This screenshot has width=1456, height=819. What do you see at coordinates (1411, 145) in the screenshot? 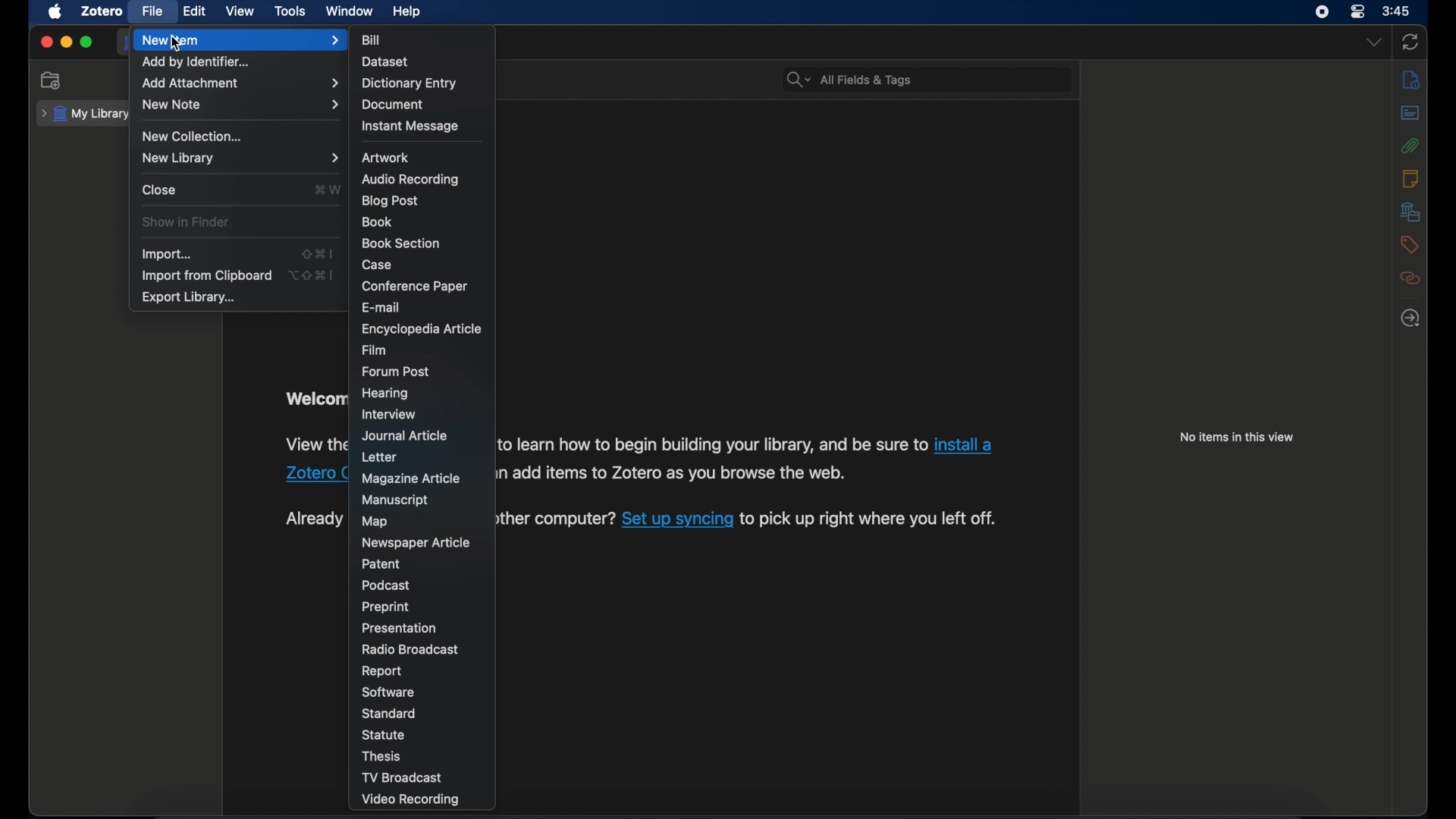
I see `attachments` at bounding box center [1411, 145].